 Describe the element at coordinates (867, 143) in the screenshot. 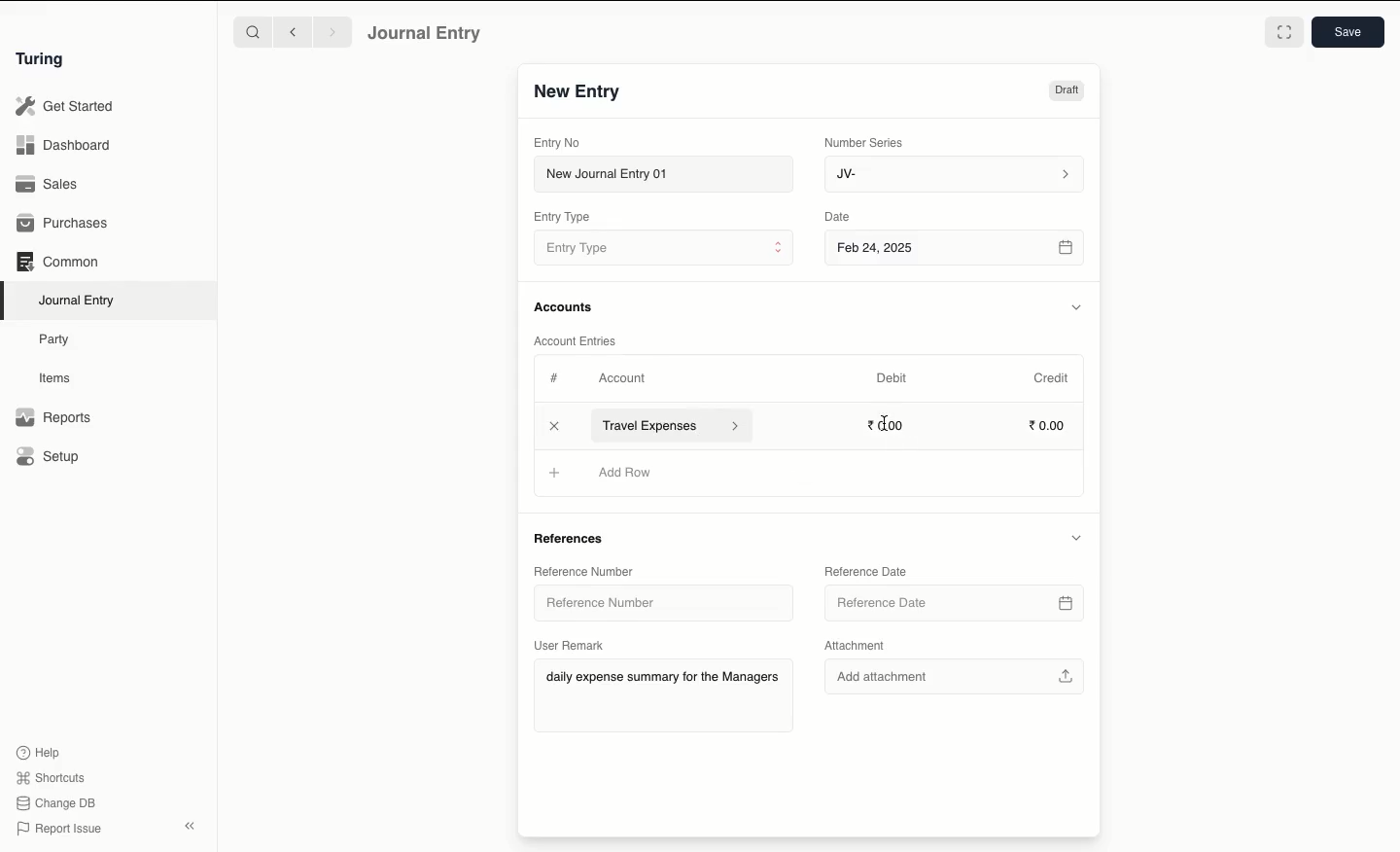

I see `Number Series` at that location.